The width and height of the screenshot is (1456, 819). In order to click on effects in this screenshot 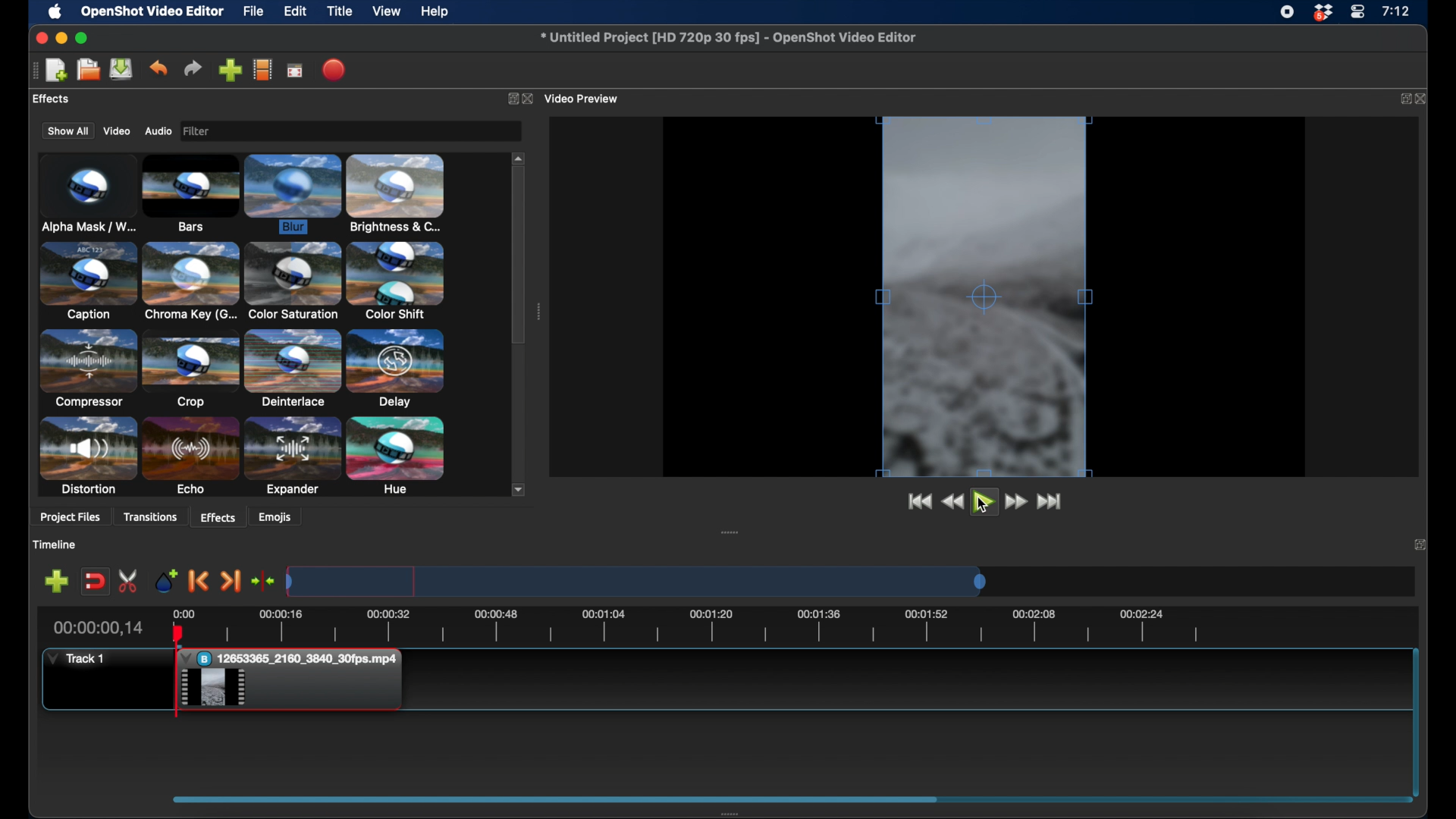, I will do `click(218, 516)`.